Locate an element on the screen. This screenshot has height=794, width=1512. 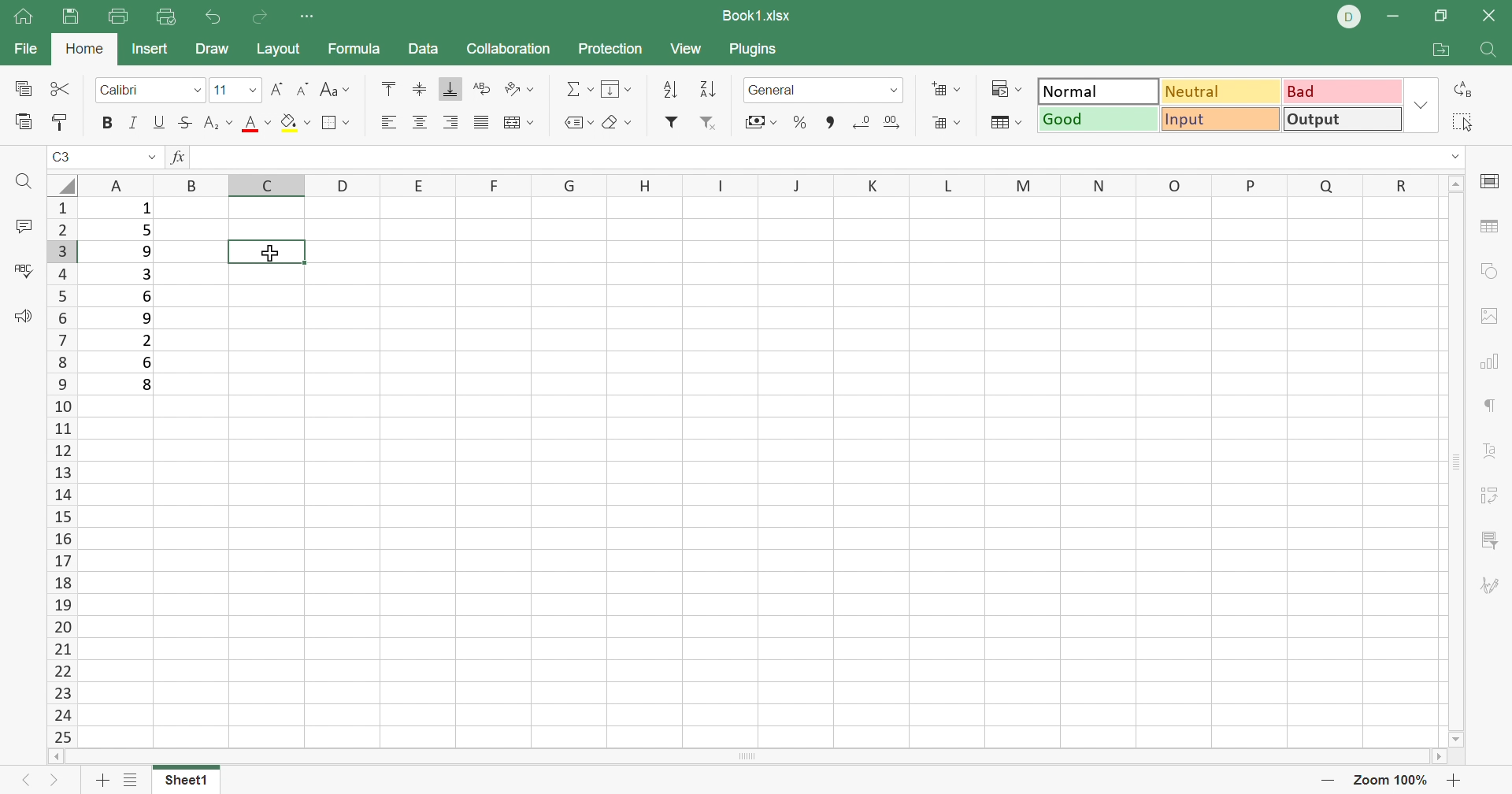
Summation is located at coordinates (580, 91).